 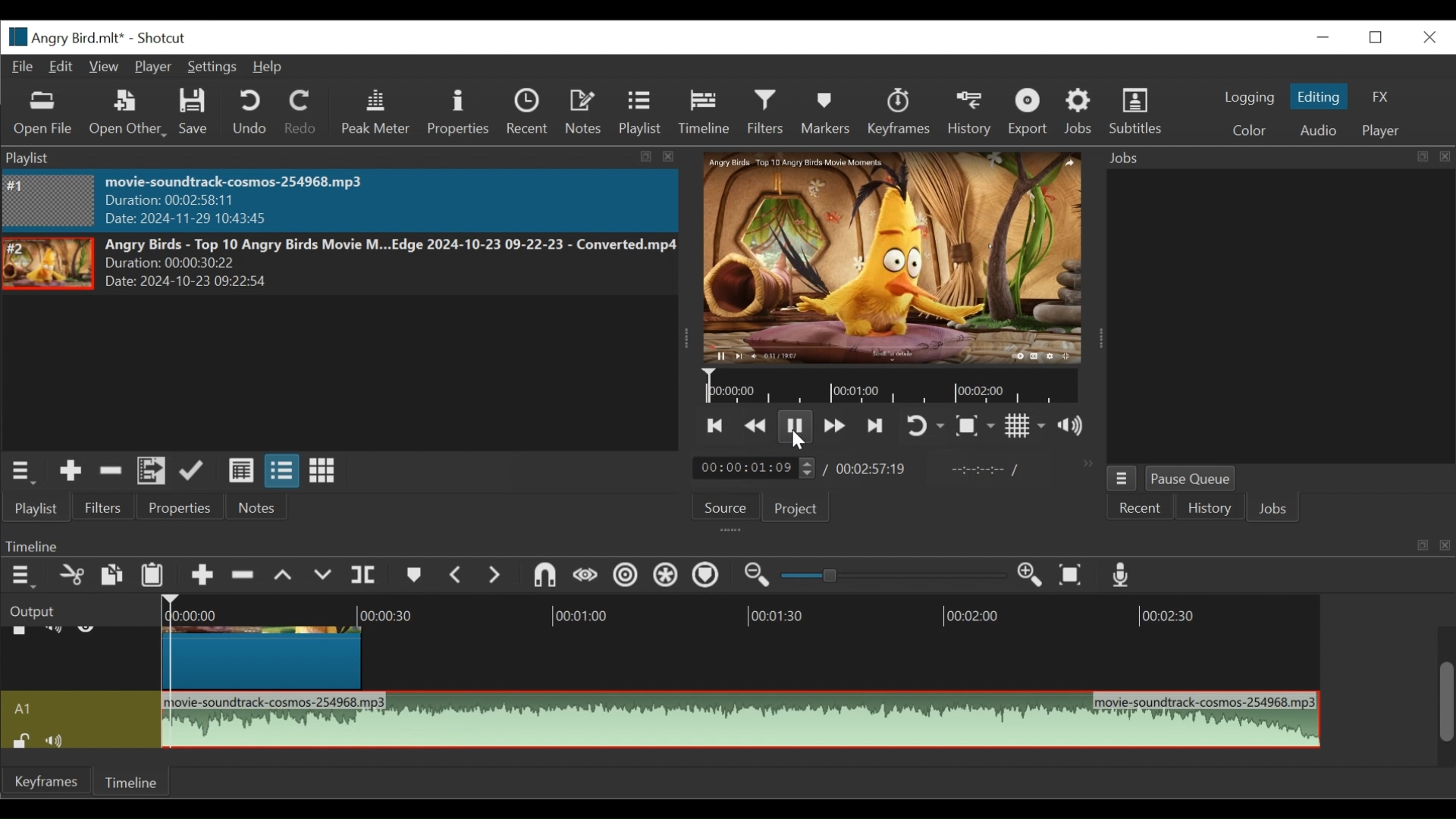 What do you see at coordinates (128, 114) in the screenshot?
I see `Open Other` at bounding box center [128, 114].